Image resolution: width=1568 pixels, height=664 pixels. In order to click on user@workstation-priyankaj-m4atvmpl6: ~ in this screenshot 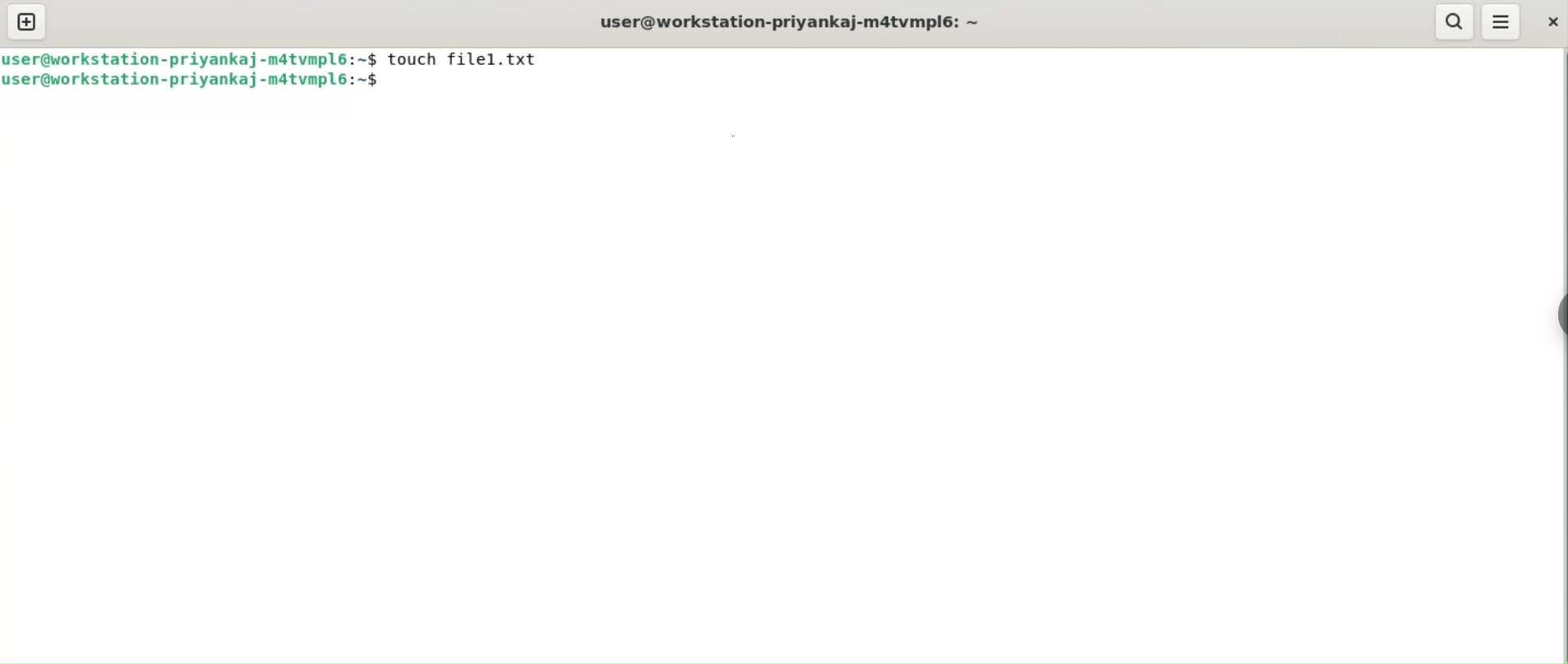, I will do `click(796, 23)`.